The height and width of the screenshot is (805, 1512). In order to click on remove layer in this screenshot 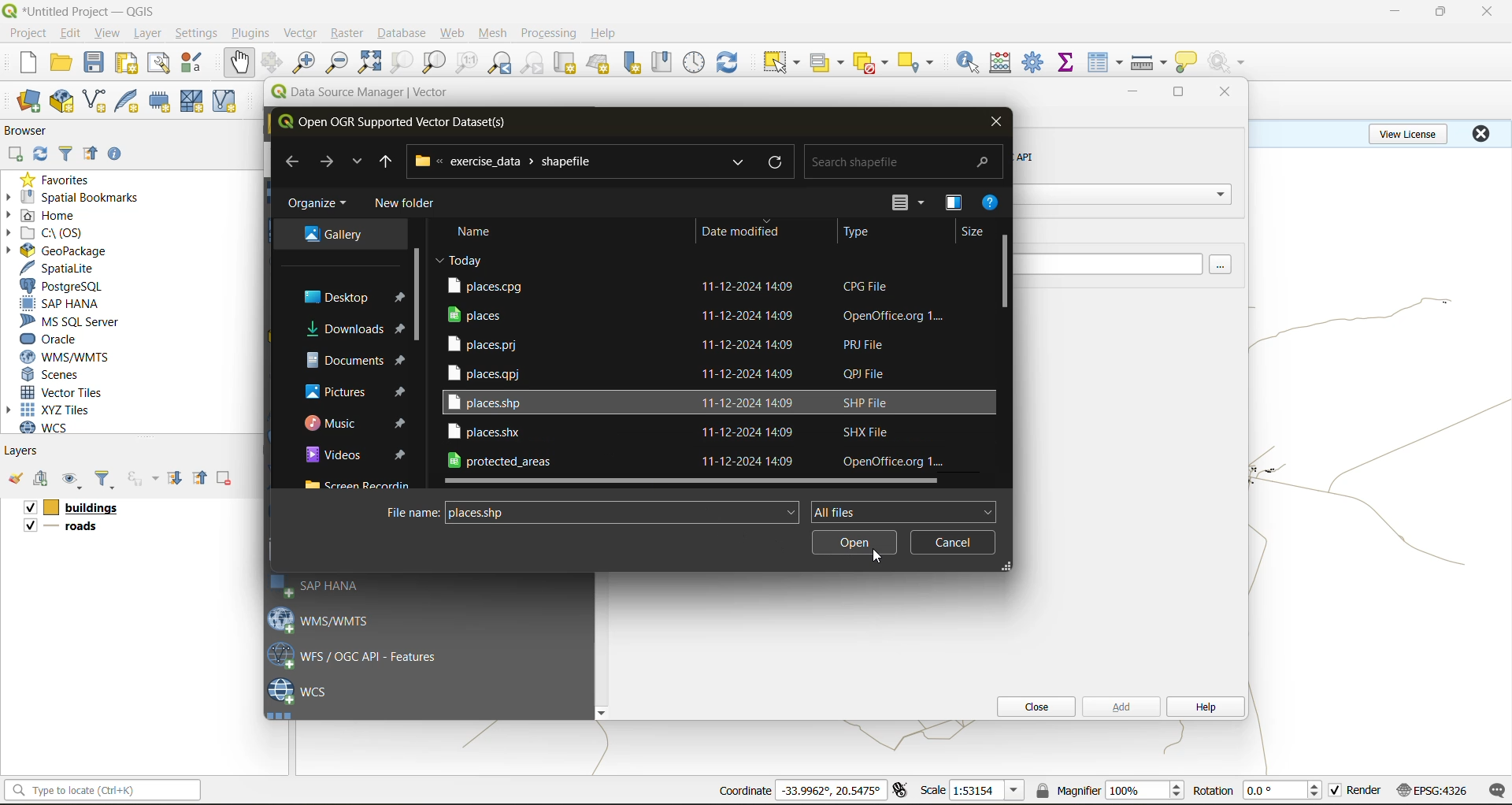, I will do `click(226, 478)`.